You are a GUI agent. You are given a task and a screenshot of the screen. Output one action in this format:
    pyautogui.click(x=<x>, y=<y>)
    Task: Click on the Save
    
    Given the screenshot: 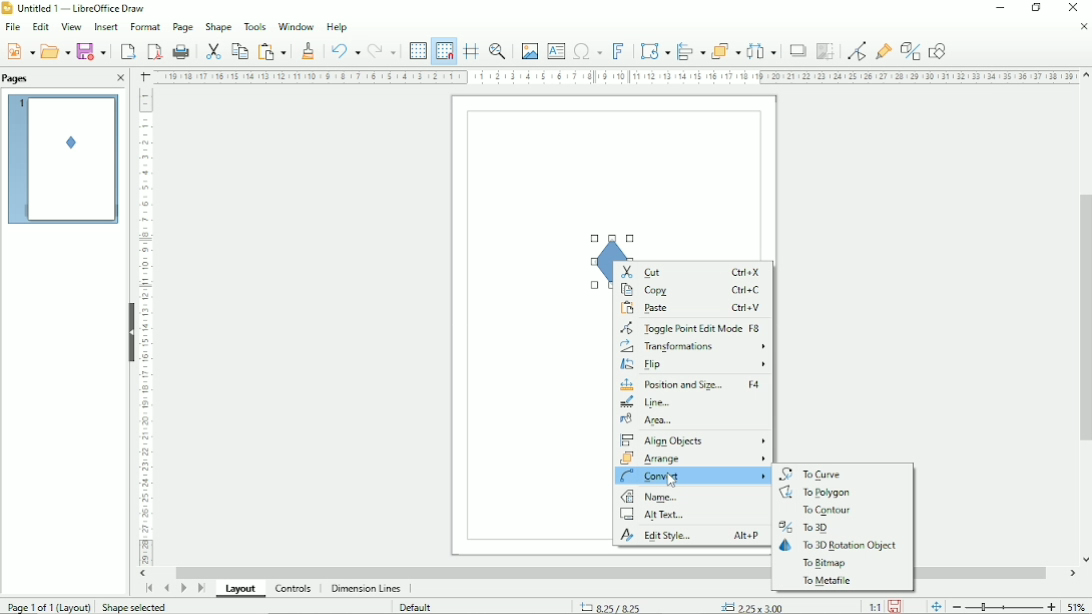 What is the action you would take?
    pyautogui.click(x=91, y=51)
    